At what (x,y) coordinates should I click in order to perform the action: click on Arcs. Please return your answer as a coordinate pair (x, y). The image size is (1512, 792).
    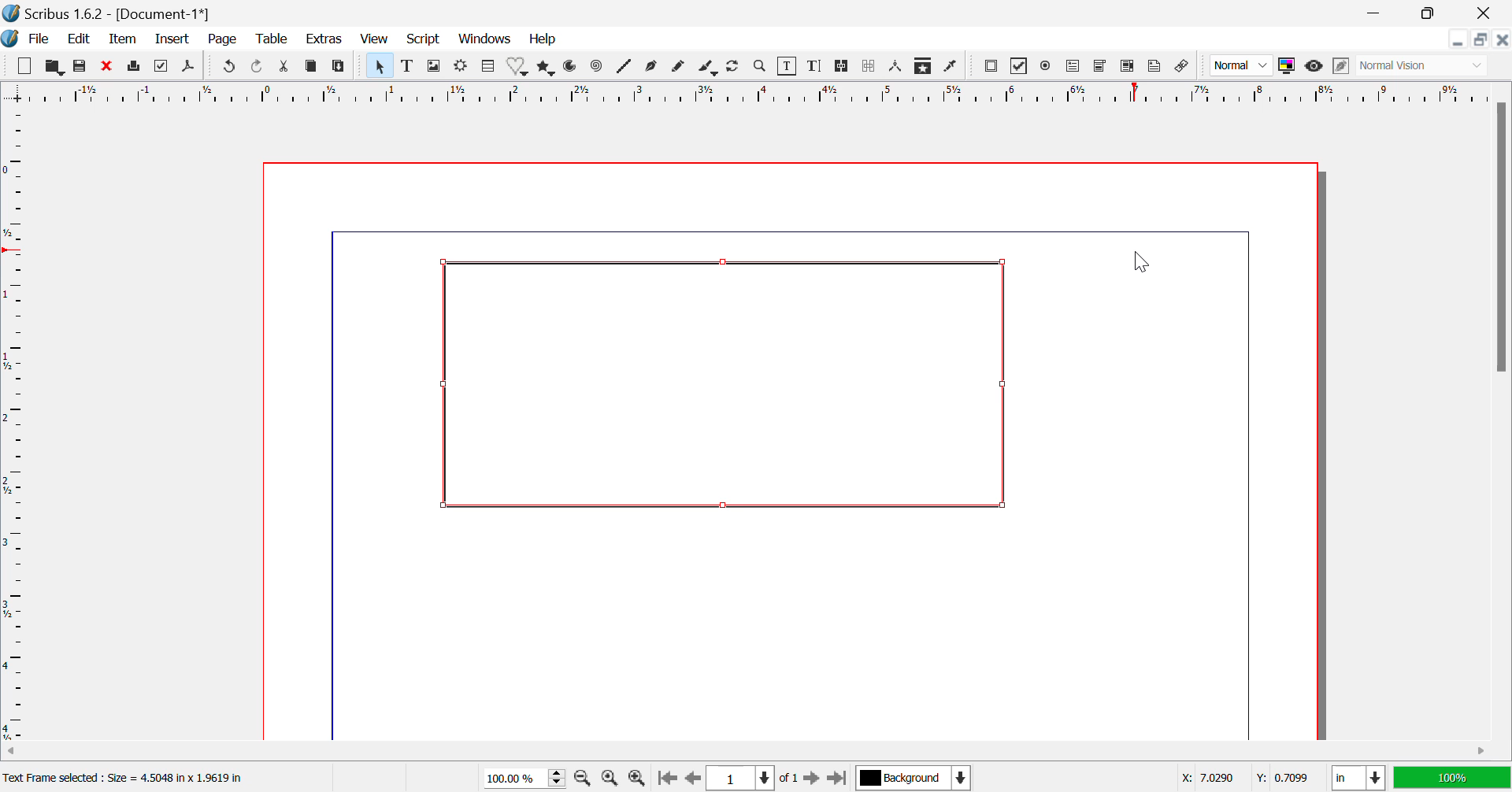
    Looking at the image, I should click on (573, 68).